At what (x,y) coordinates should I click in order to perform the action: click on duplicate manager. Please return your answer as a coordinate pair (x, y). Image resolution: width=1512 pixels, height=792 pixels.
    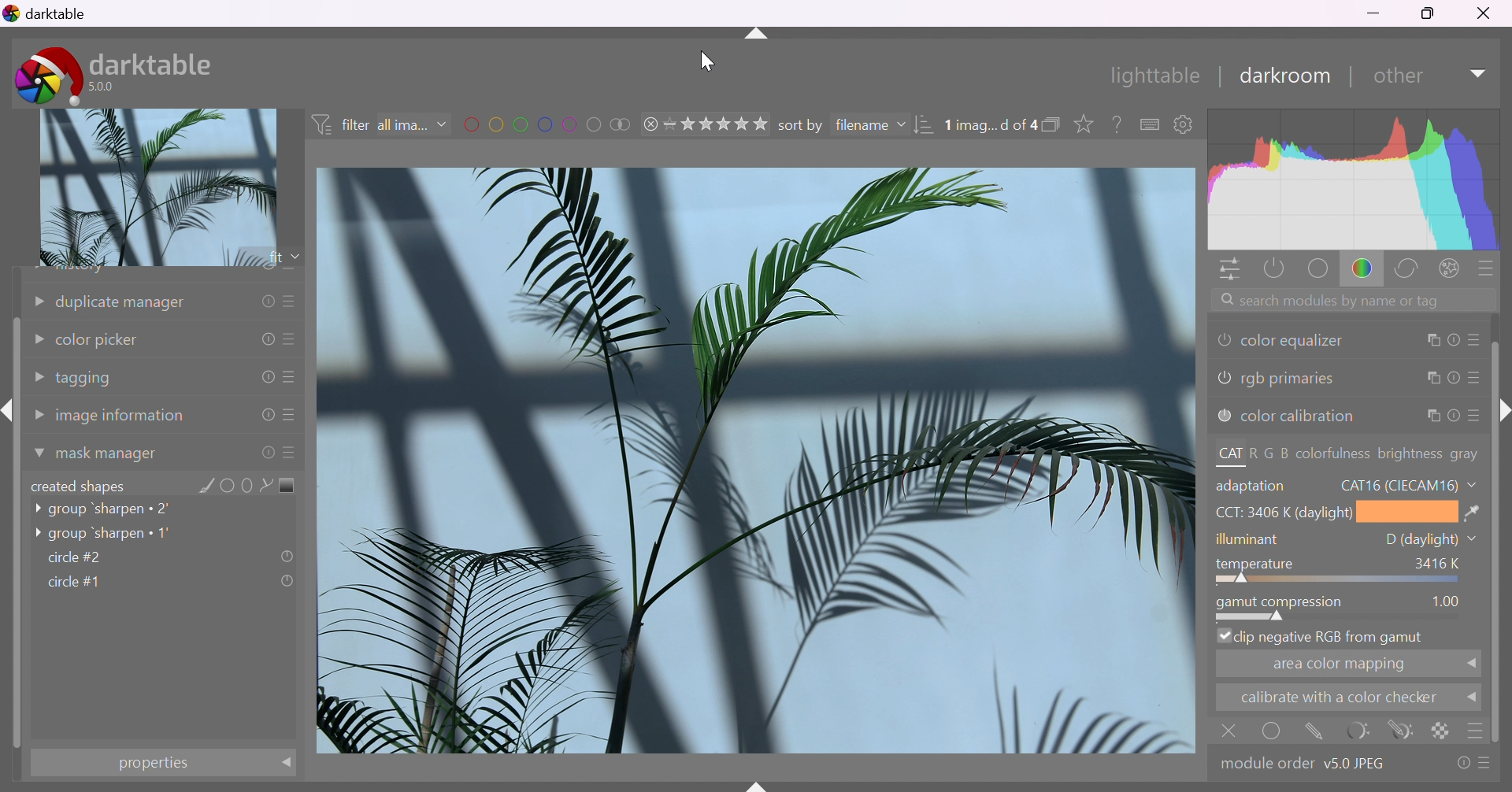
    Looking at the image, I should click on (162, 304).